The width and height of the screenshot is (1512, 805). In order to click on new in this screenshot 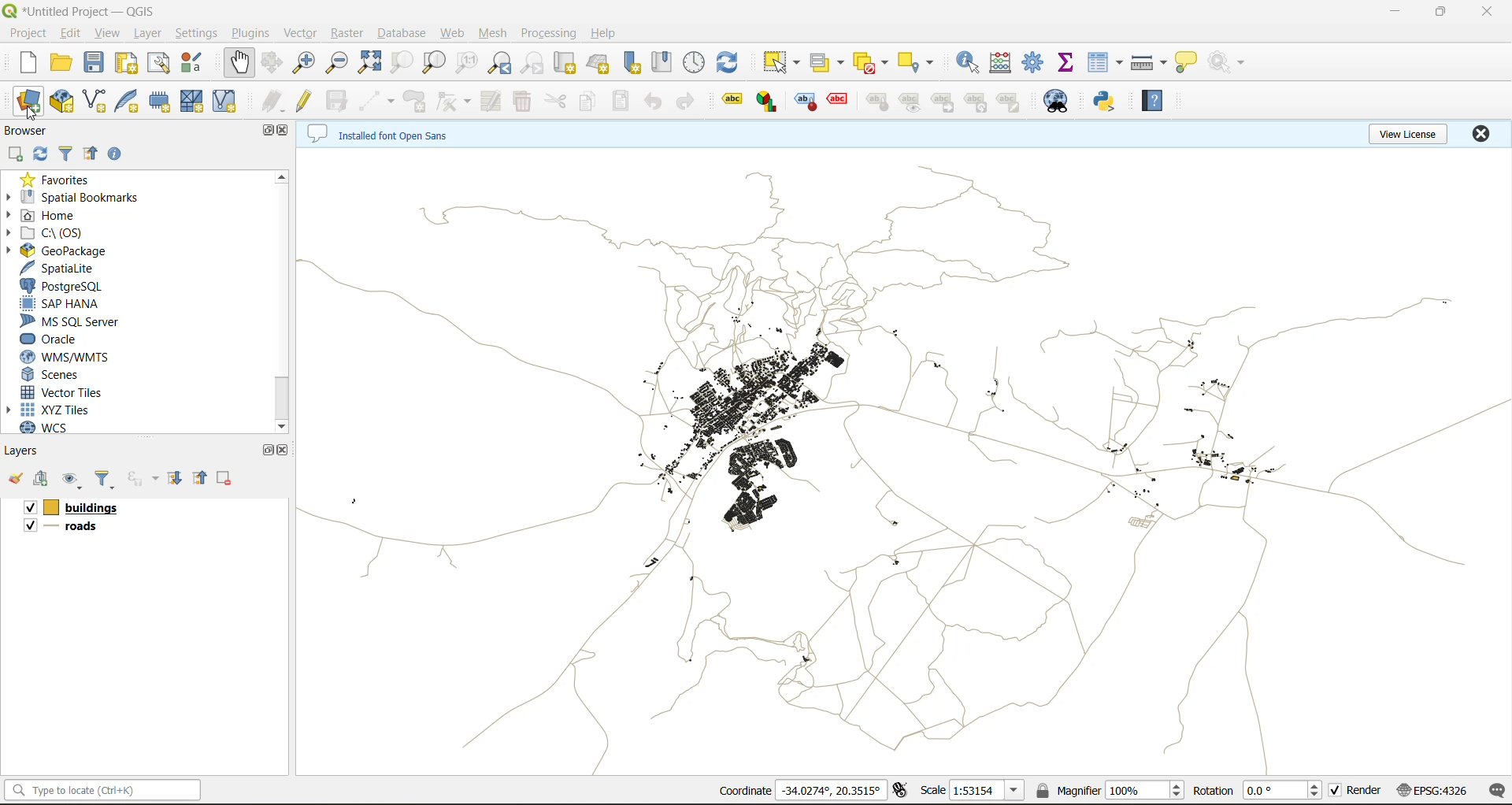, I will do `click(26, 62)`.